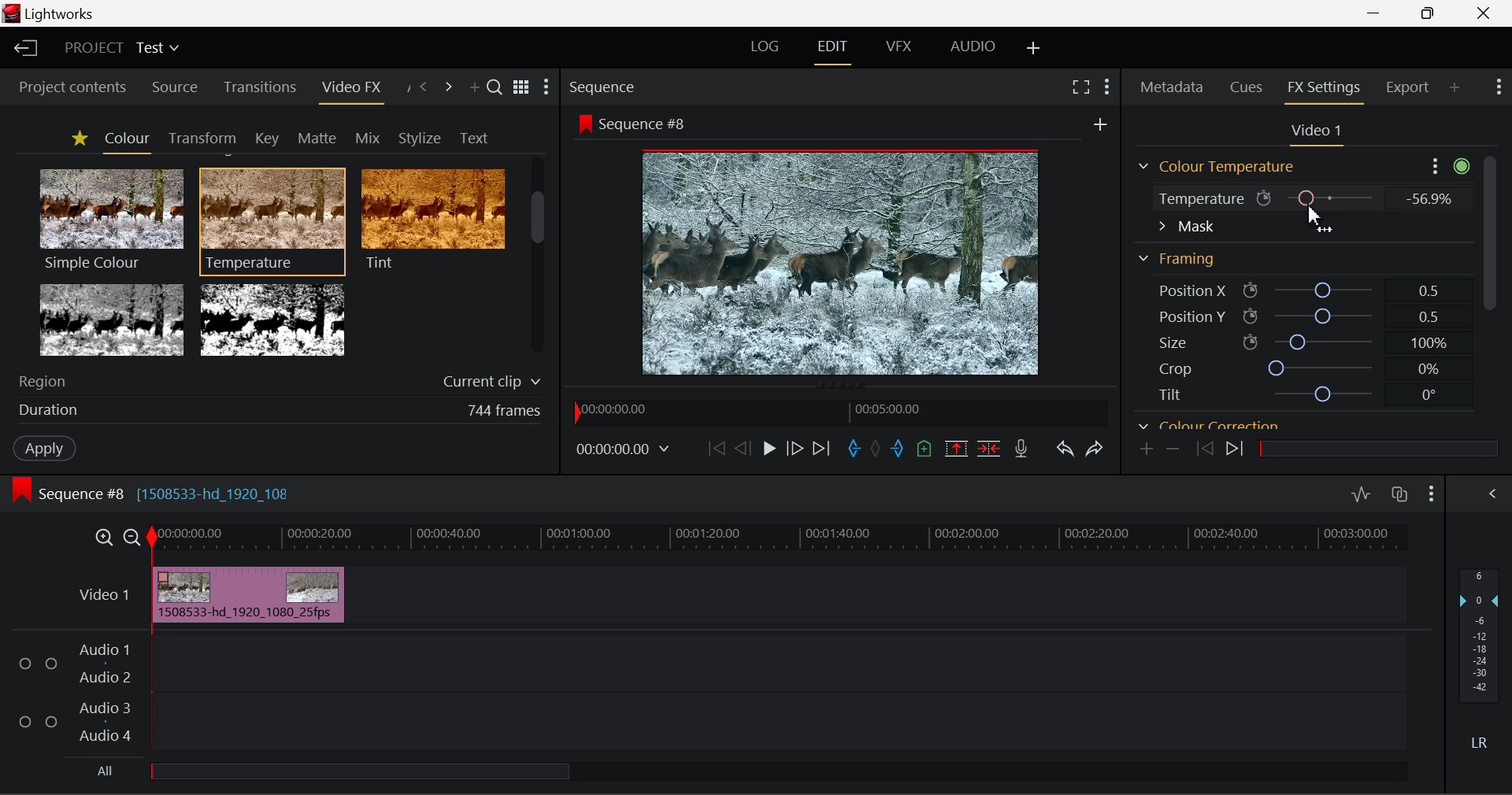 This screenshot has width=1512, height=795. What do you see at coordinates (472, 87) in the screenshot?
I see `Add Panel` at bounding box center [472, 87].